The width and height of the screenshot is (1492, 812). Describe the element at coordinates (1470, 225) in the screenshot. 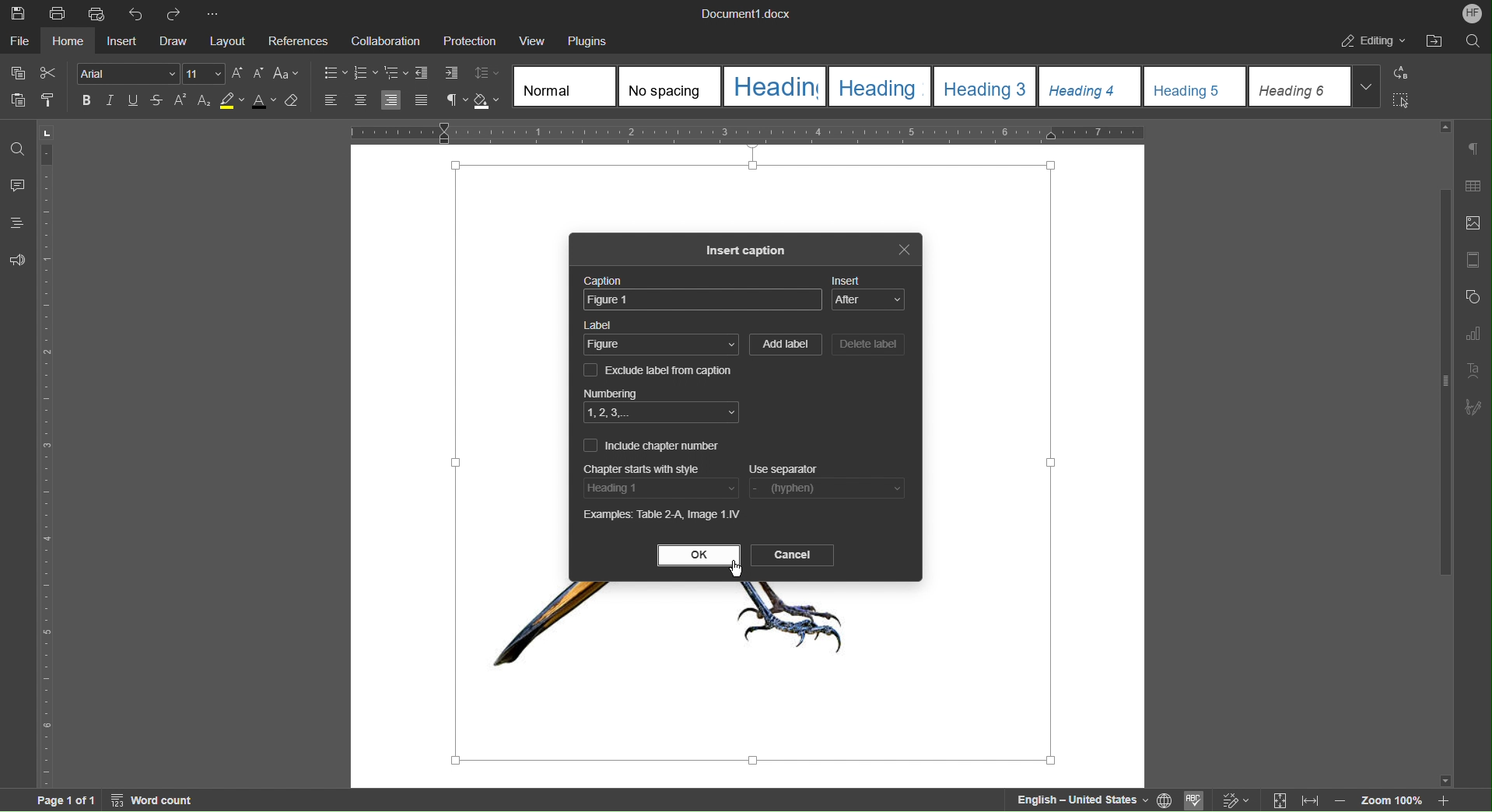

I see `Insert Image` at that location.